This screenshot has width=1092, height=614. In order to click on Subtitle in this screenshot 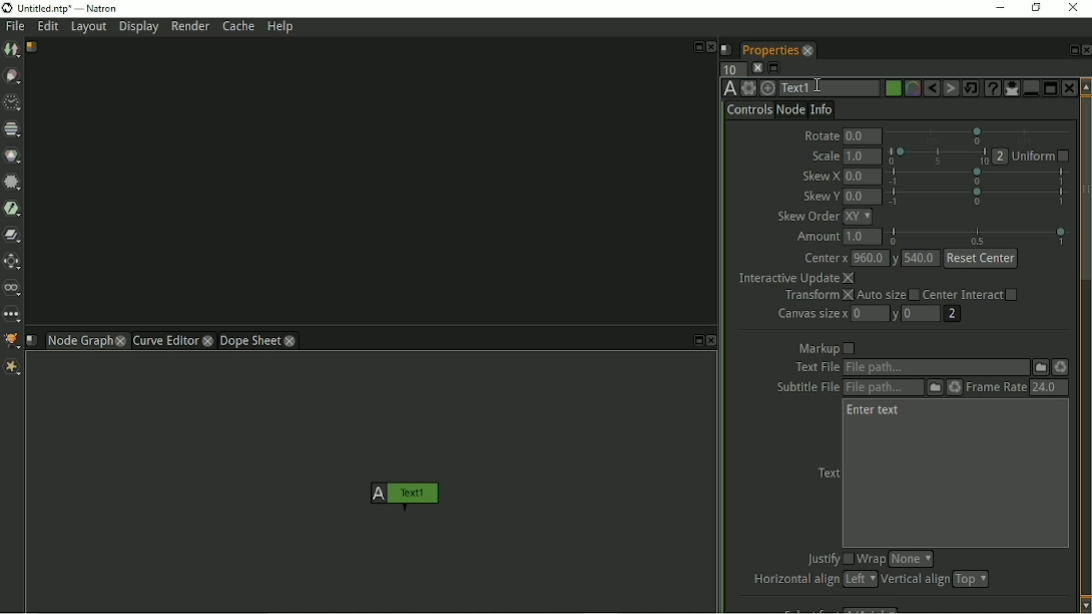, I will do `click(935, 388)`.